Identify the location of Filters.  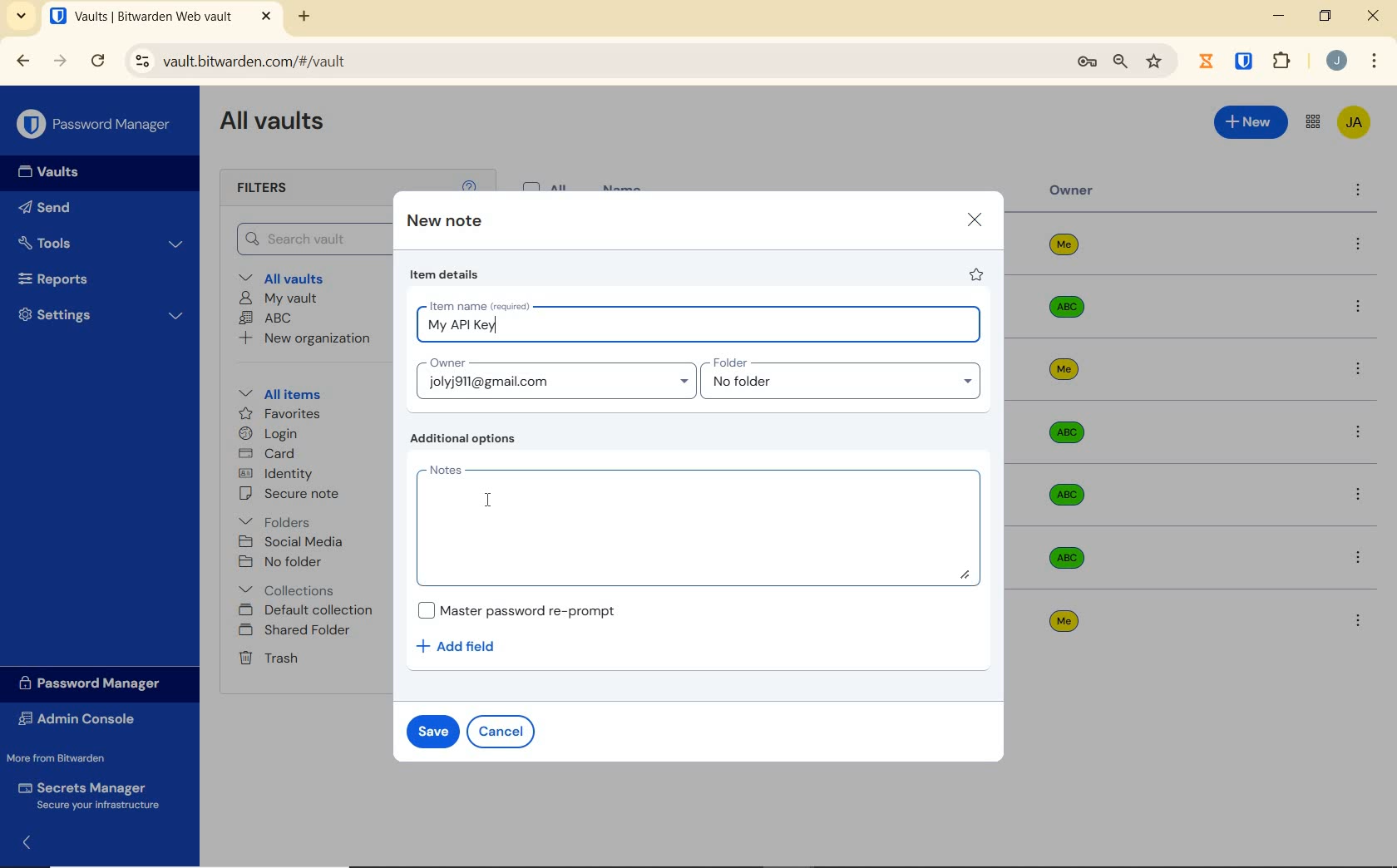
(265, 189).